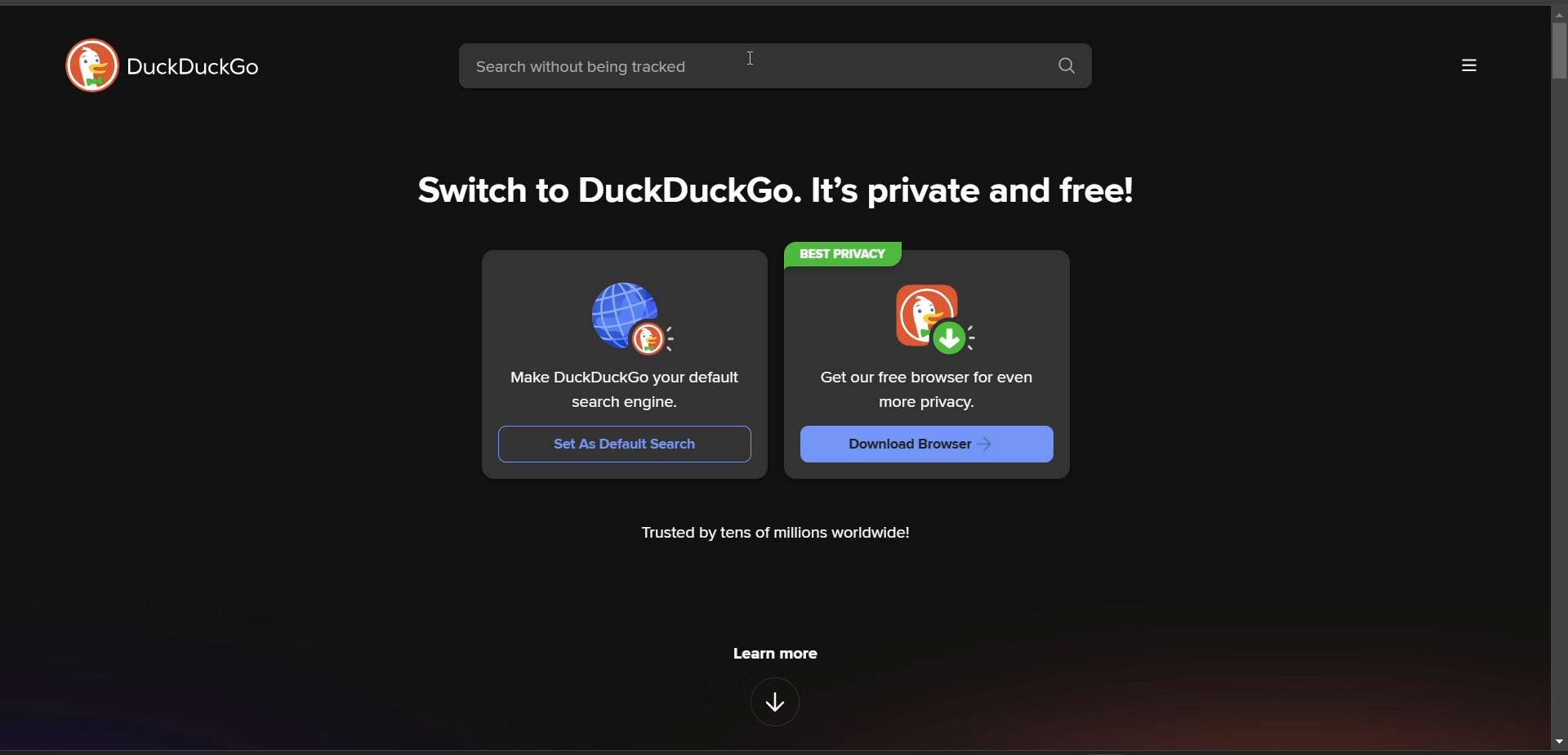 This screenshot has width=1568, height=755. I want to click on Make DuckDuckGo your default search engine., so click(628, 389).